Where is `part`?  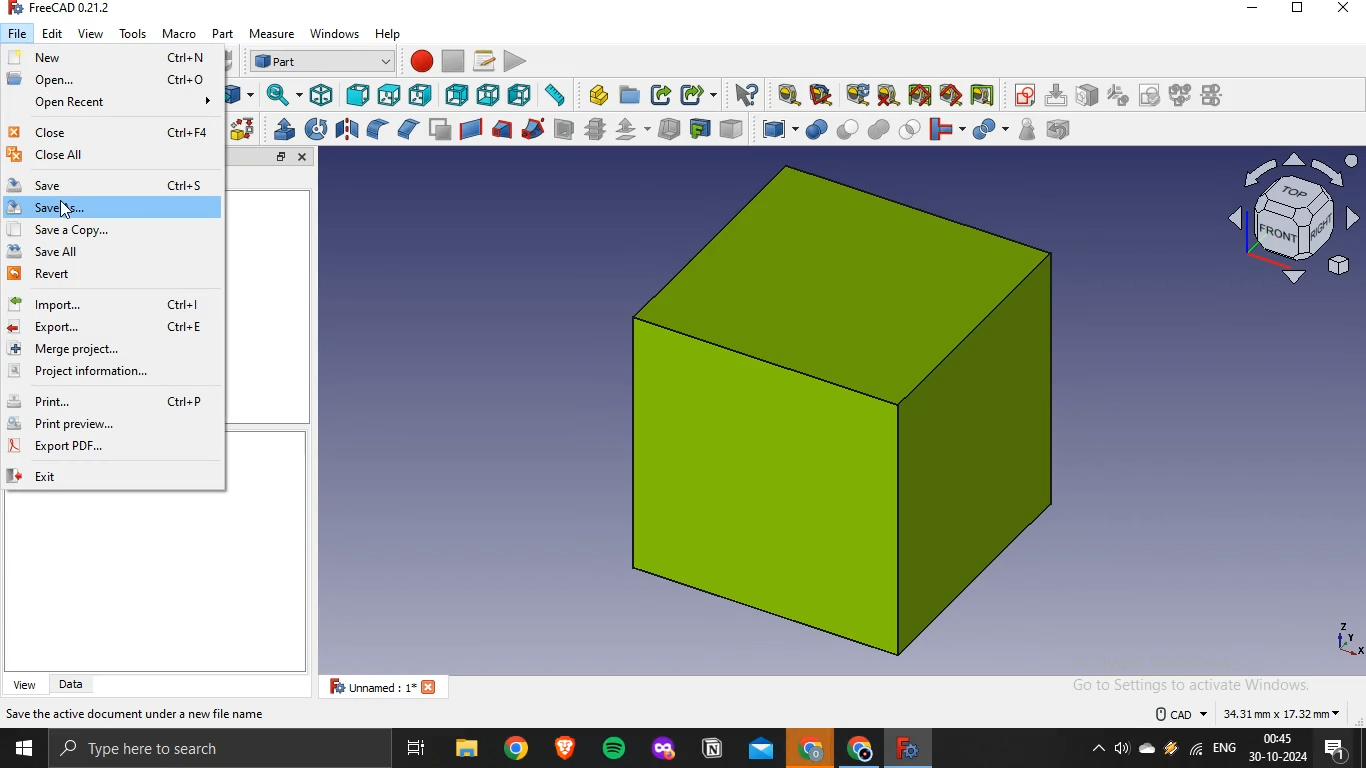 part is located at coordinates (223, 33).